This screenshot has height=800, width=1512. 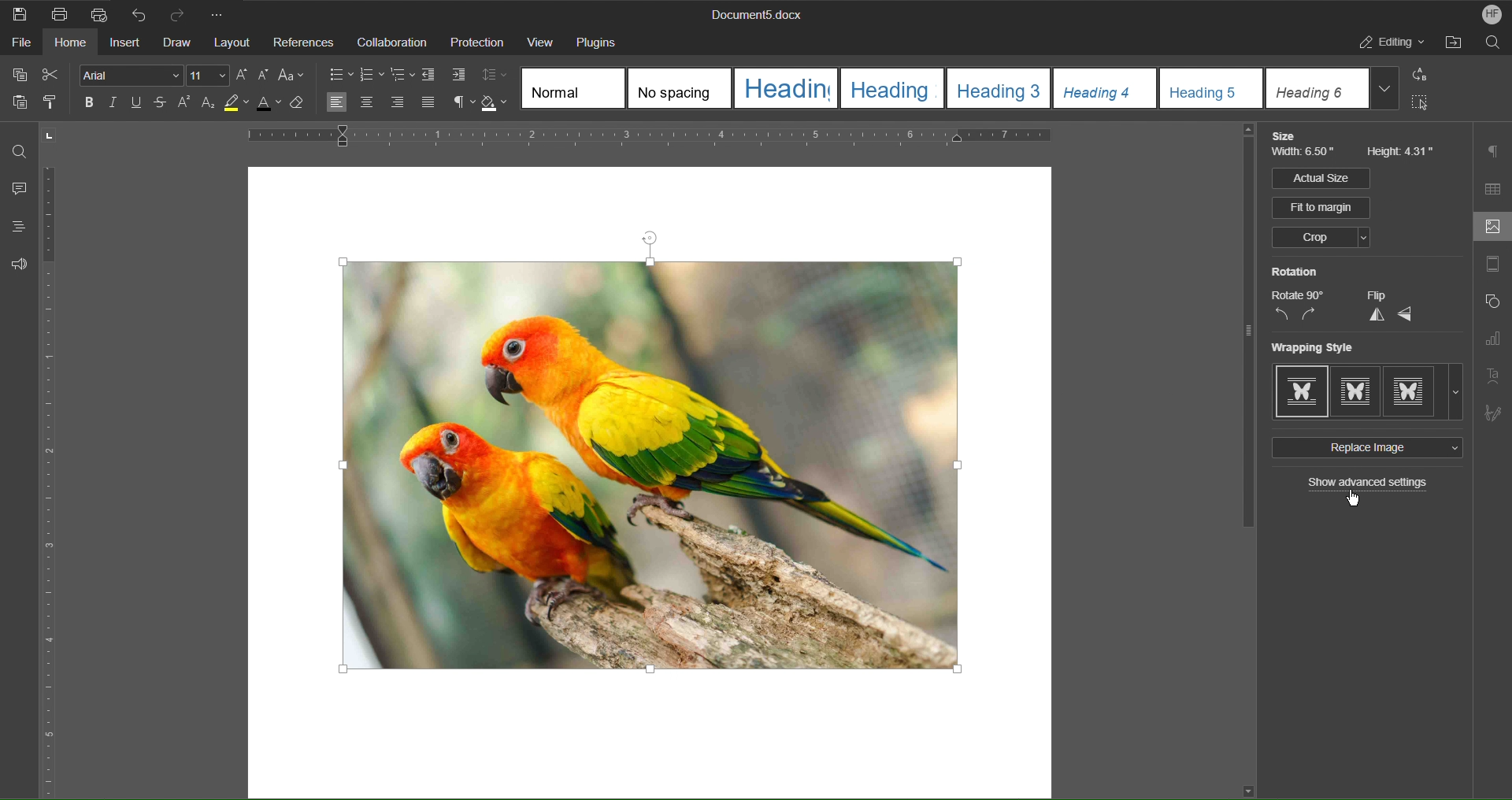 What do you see at coordinates (244, 75) in the screenshot?
I see `Increase Size` at bounding box center [244, 75].